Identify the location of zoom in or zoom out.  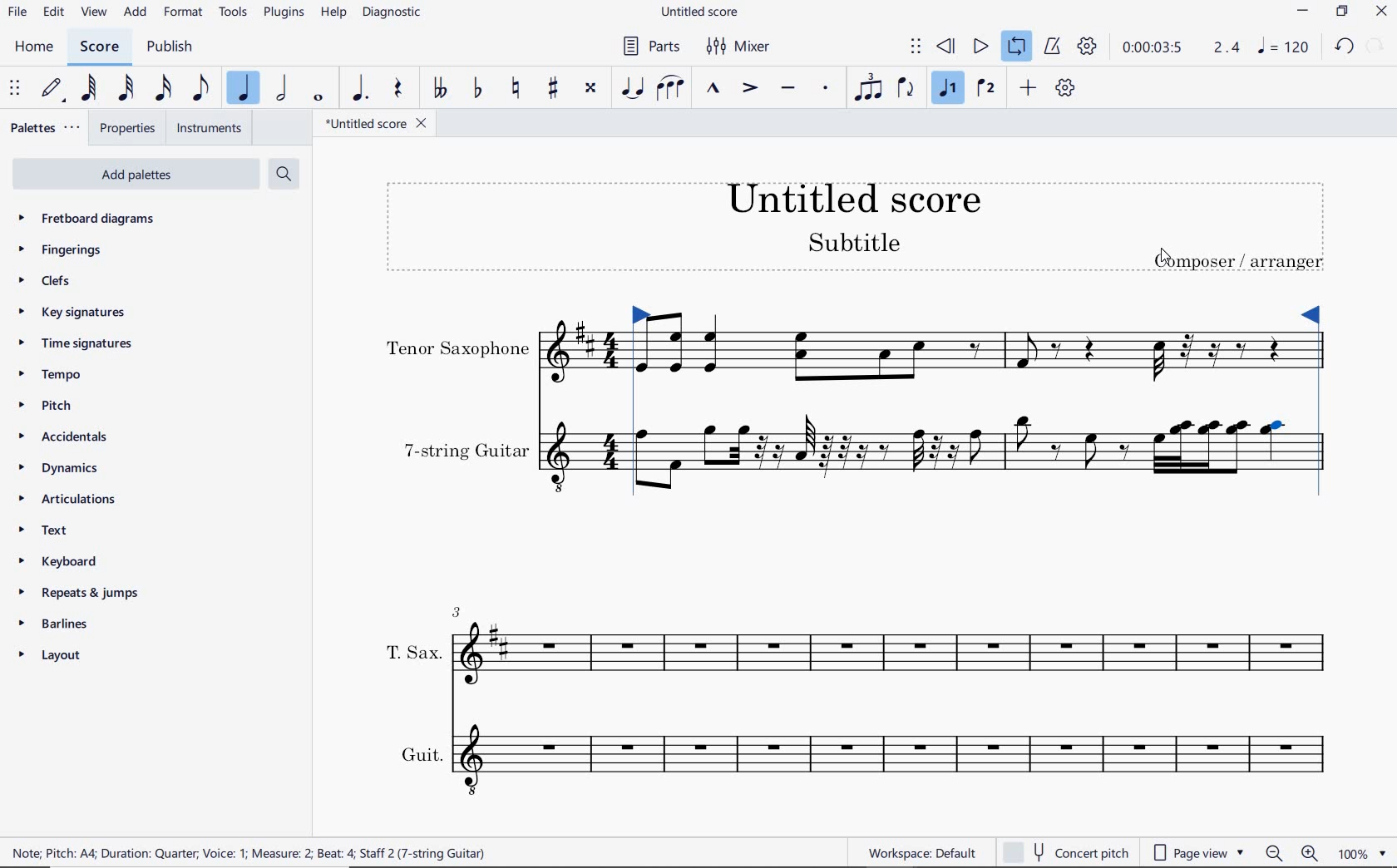
(1287, 854).